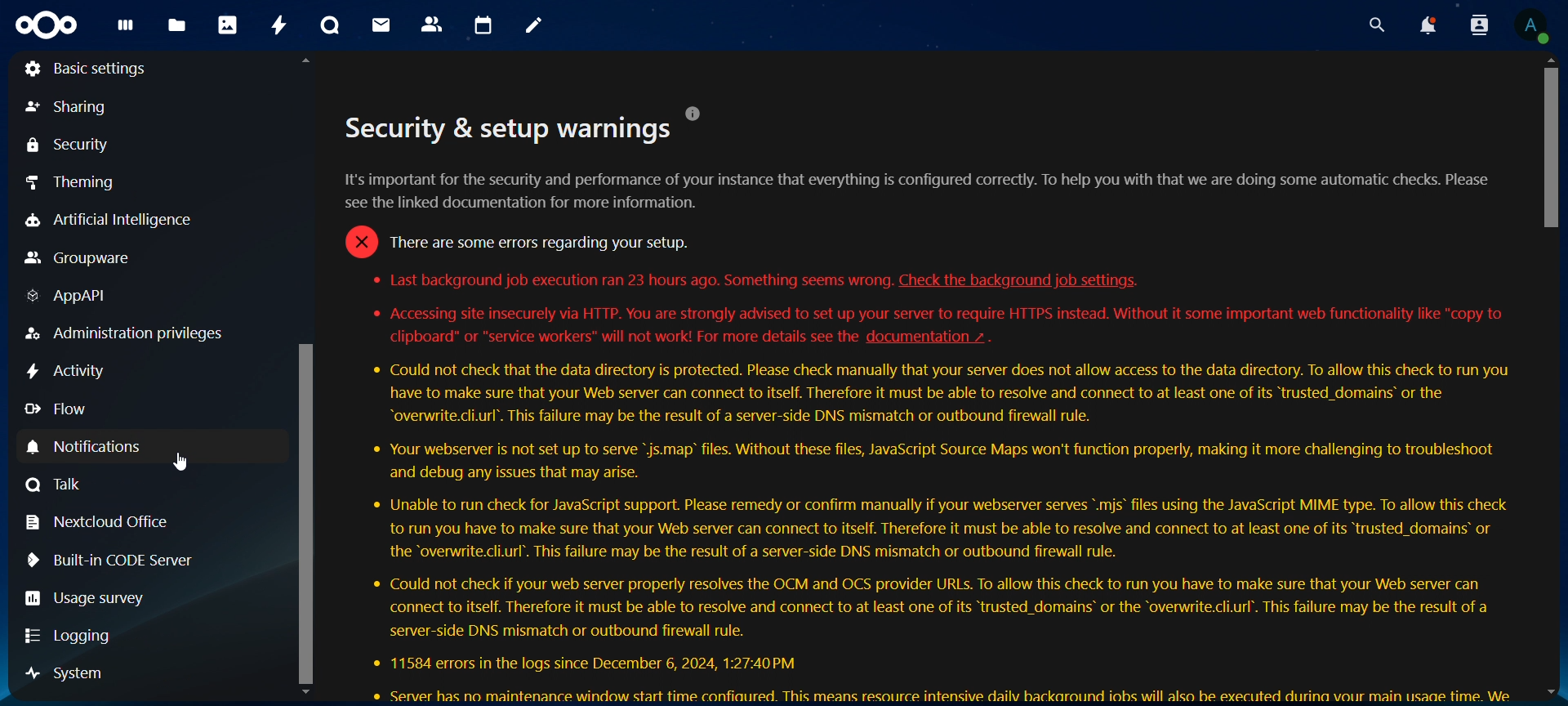  What do you see at coordinates (1480, 26) in the screenshot?
I see `search contacts` at bounding box center [1480, 26].